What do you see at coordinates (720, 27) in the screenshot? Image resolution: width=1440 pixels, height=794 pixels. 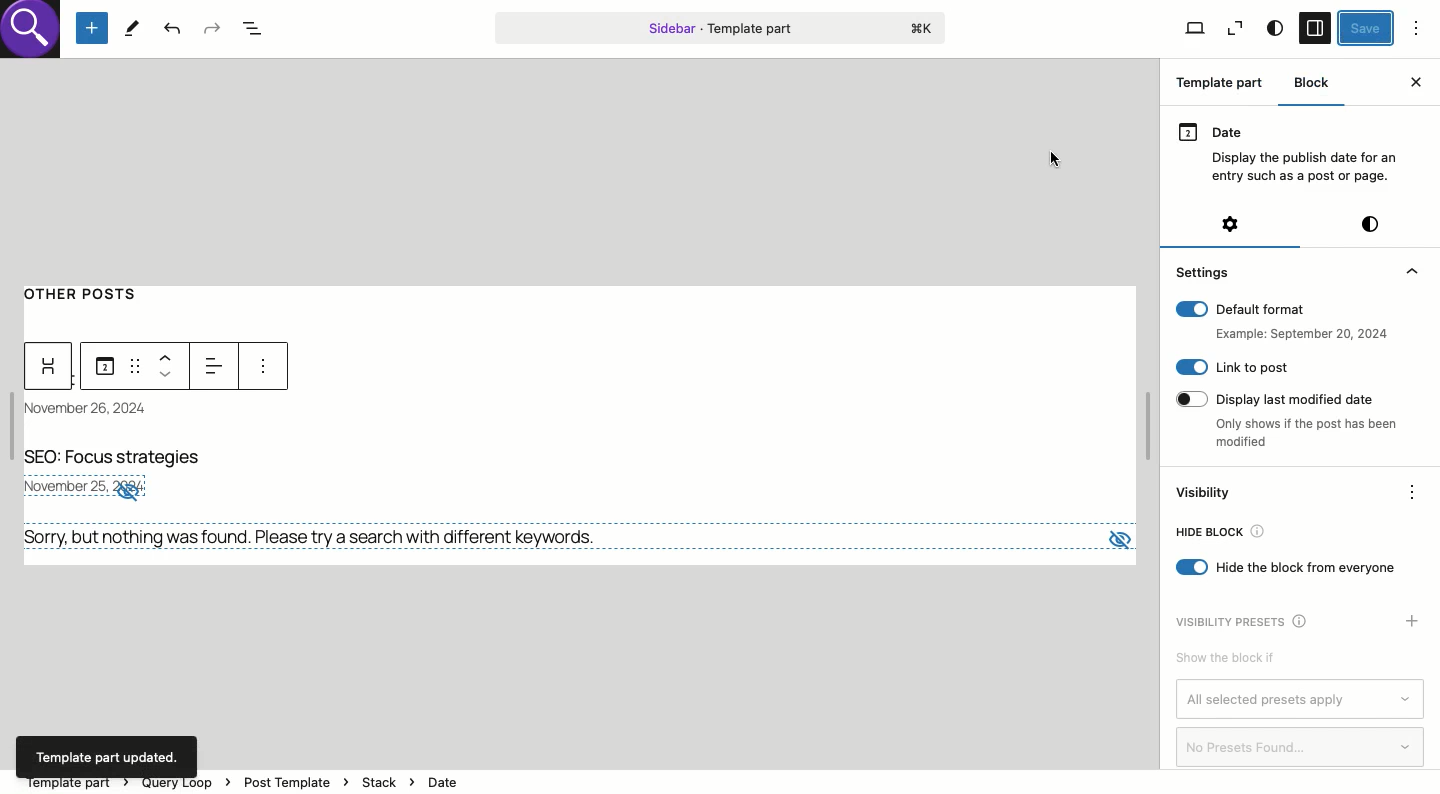 I see `Template part` at bounding box center [720, 27].